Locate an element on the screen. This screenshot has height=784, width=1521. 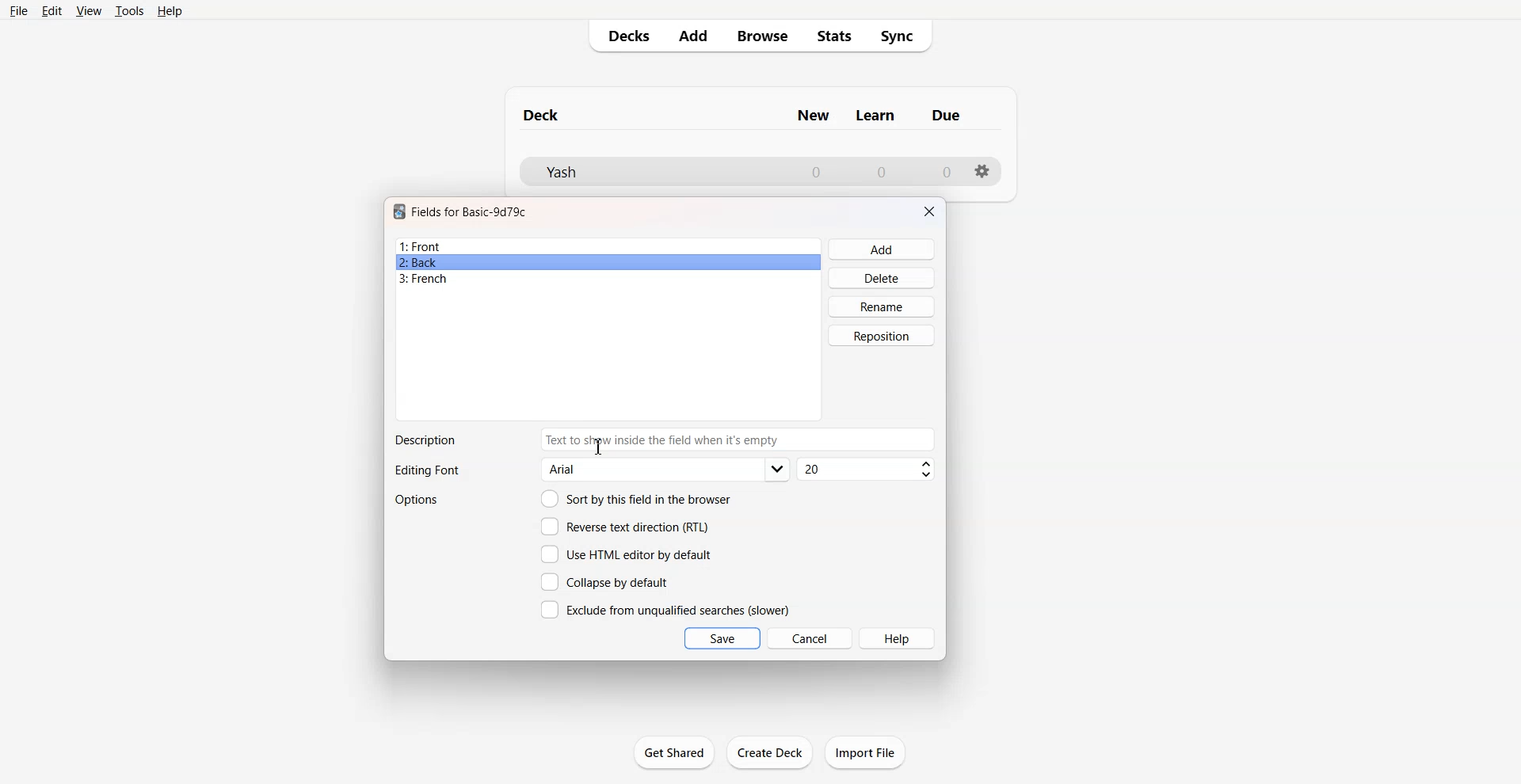
Options is located at coordinates (418, 500).